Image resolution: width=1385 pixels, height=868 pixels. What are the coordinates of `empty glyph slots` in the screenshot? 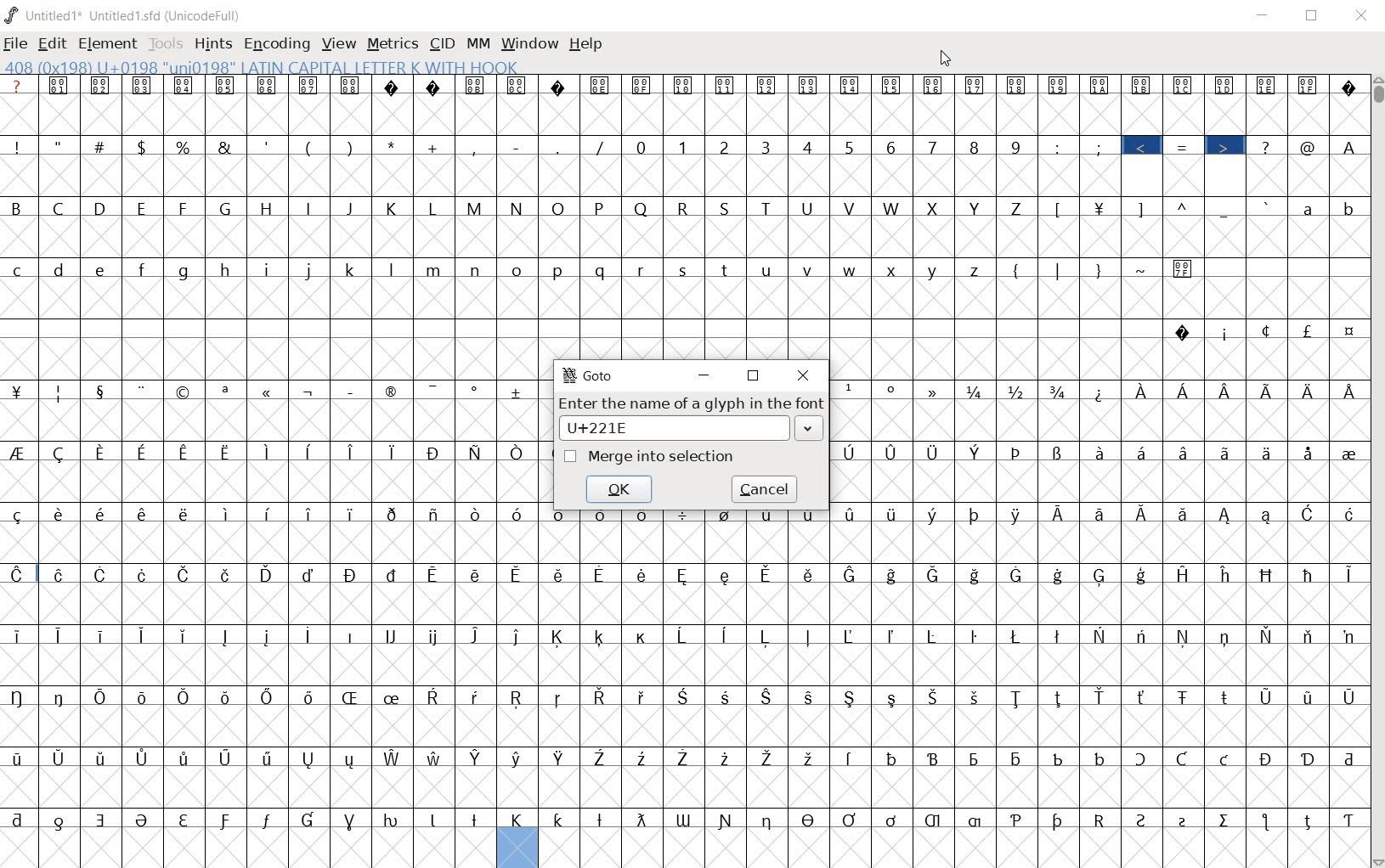 It's located at (682, 237).